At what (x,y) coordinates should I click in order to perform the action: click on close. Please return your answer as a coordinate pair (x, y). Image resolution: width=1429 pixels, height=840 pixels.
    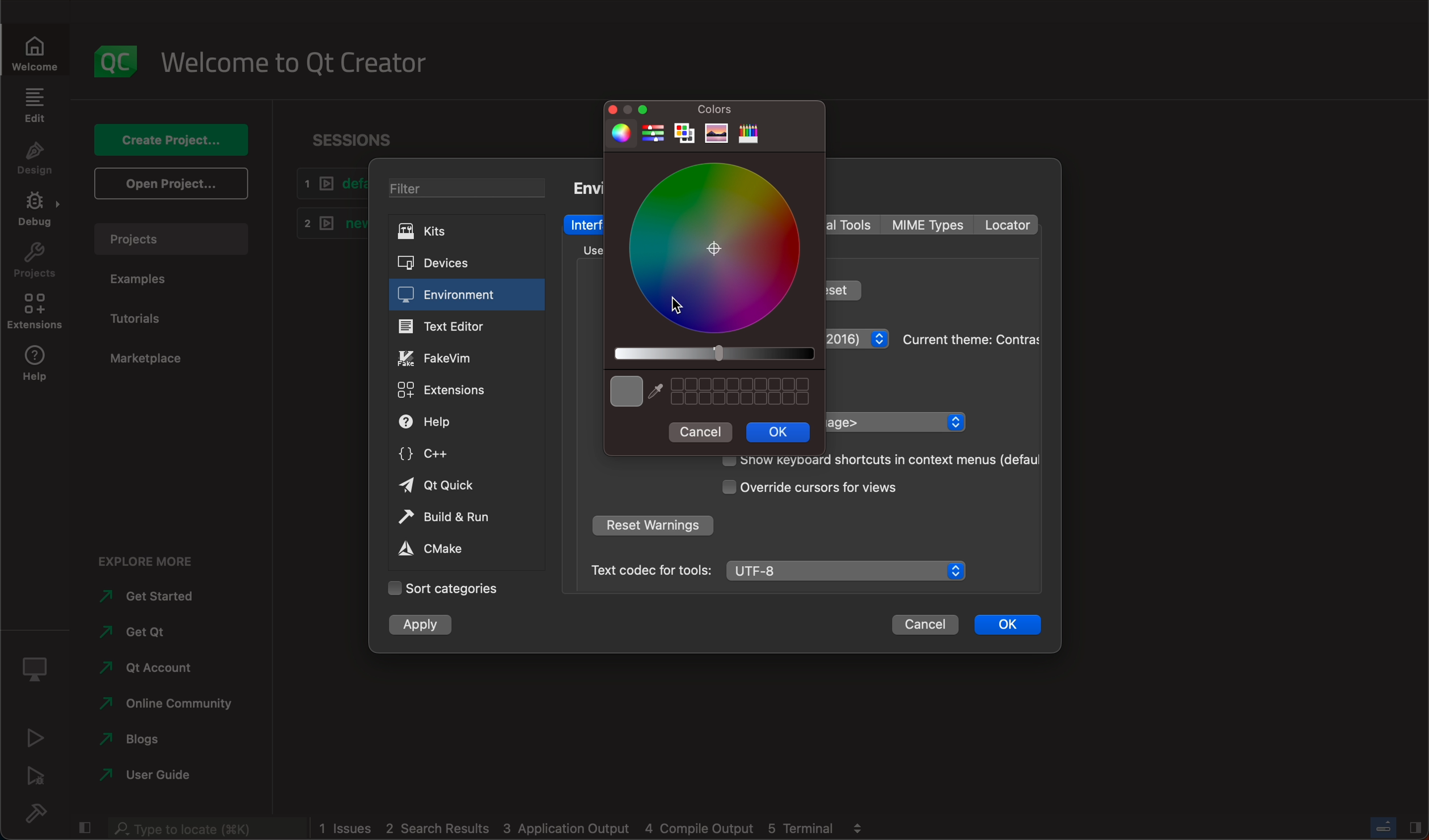
    Looking at the image, I should click on (607, 108).